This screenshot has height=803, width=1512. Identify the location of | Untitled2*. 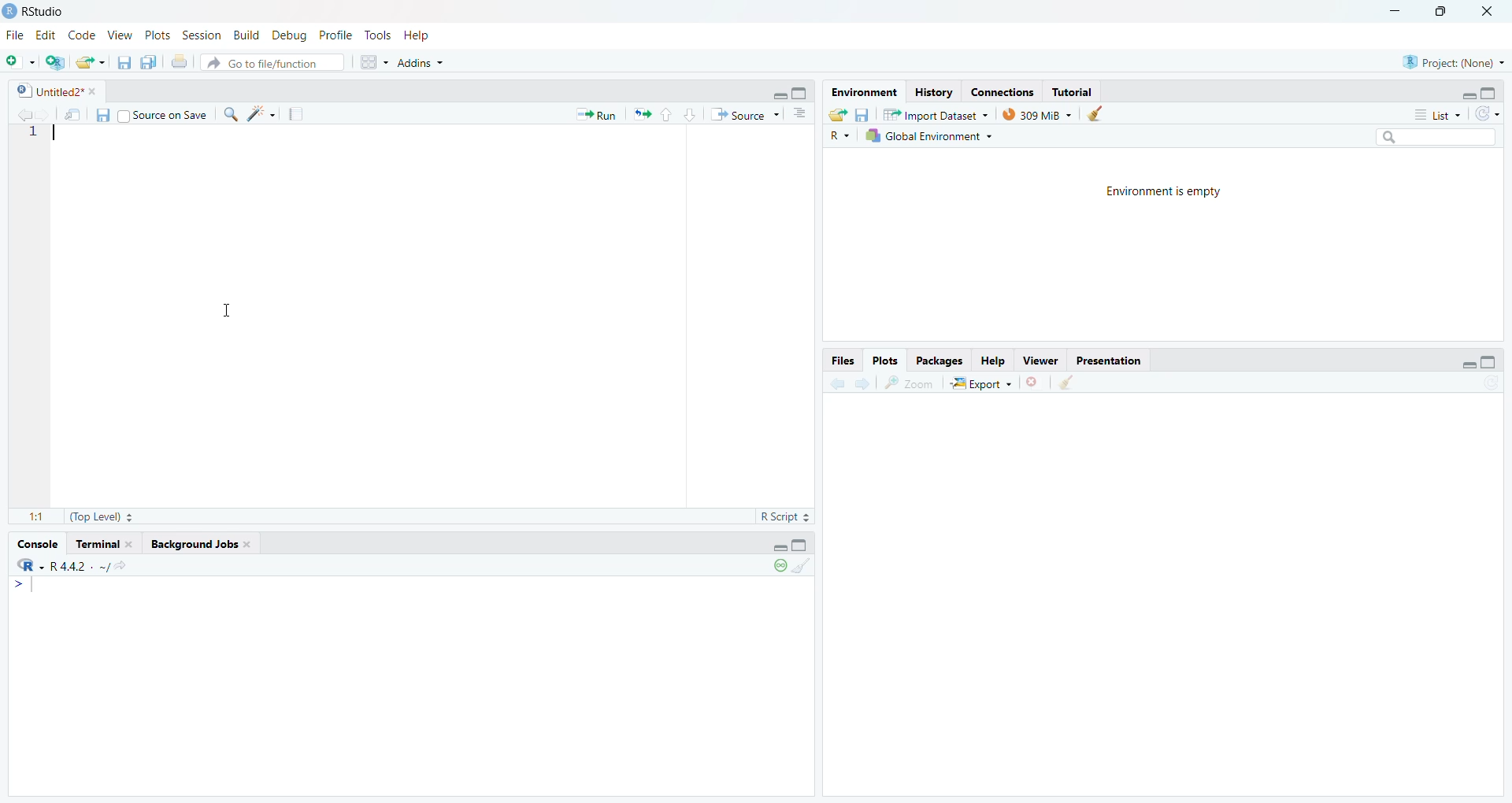
(50, 92).